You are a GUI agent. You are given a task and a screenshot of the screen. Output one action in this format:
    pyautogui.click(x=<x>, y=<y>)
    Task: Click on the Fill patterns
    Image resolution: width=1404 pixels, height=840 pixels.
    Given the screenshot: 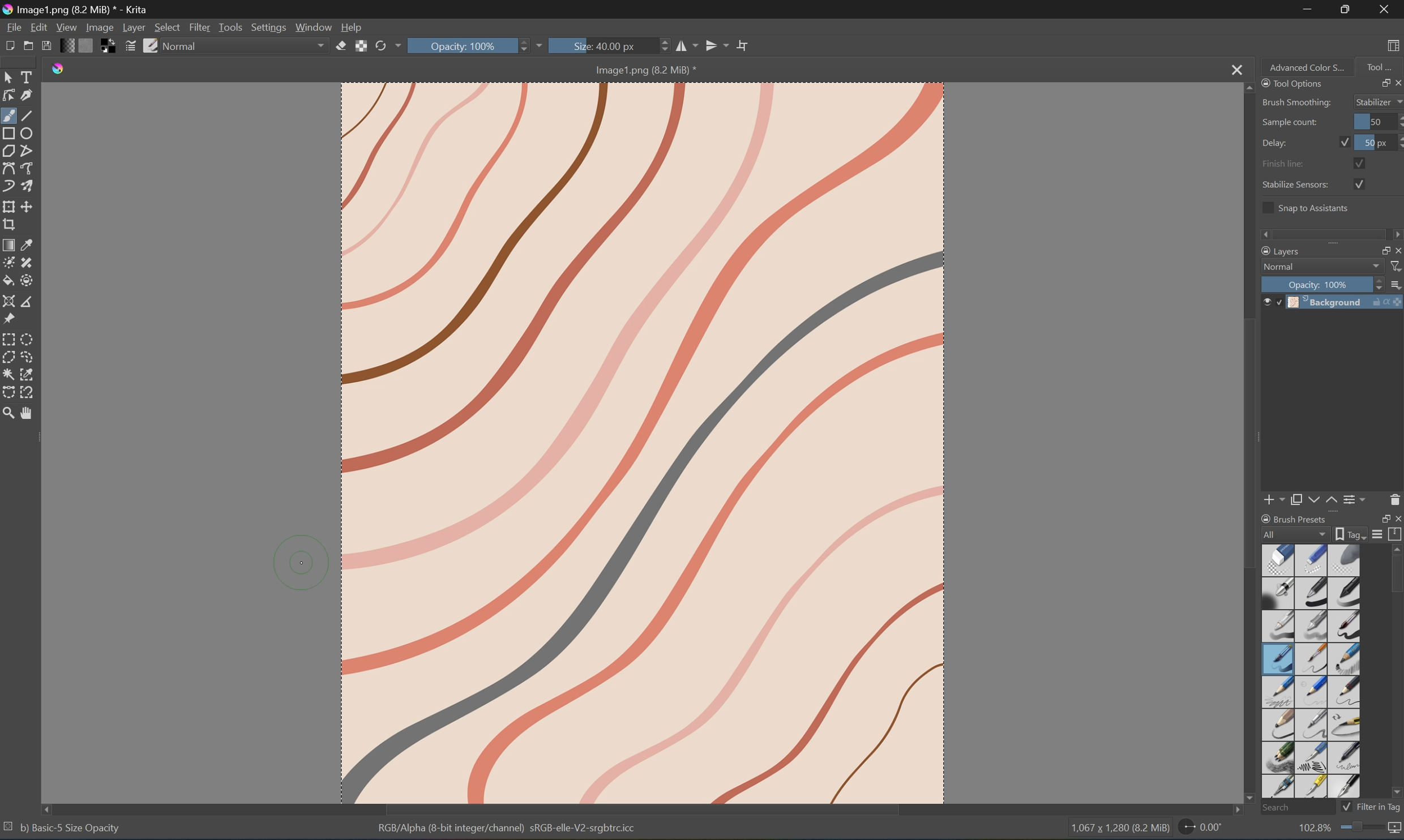 What is the action you would take?
    pyautogui.click(x=89, y=47)
    